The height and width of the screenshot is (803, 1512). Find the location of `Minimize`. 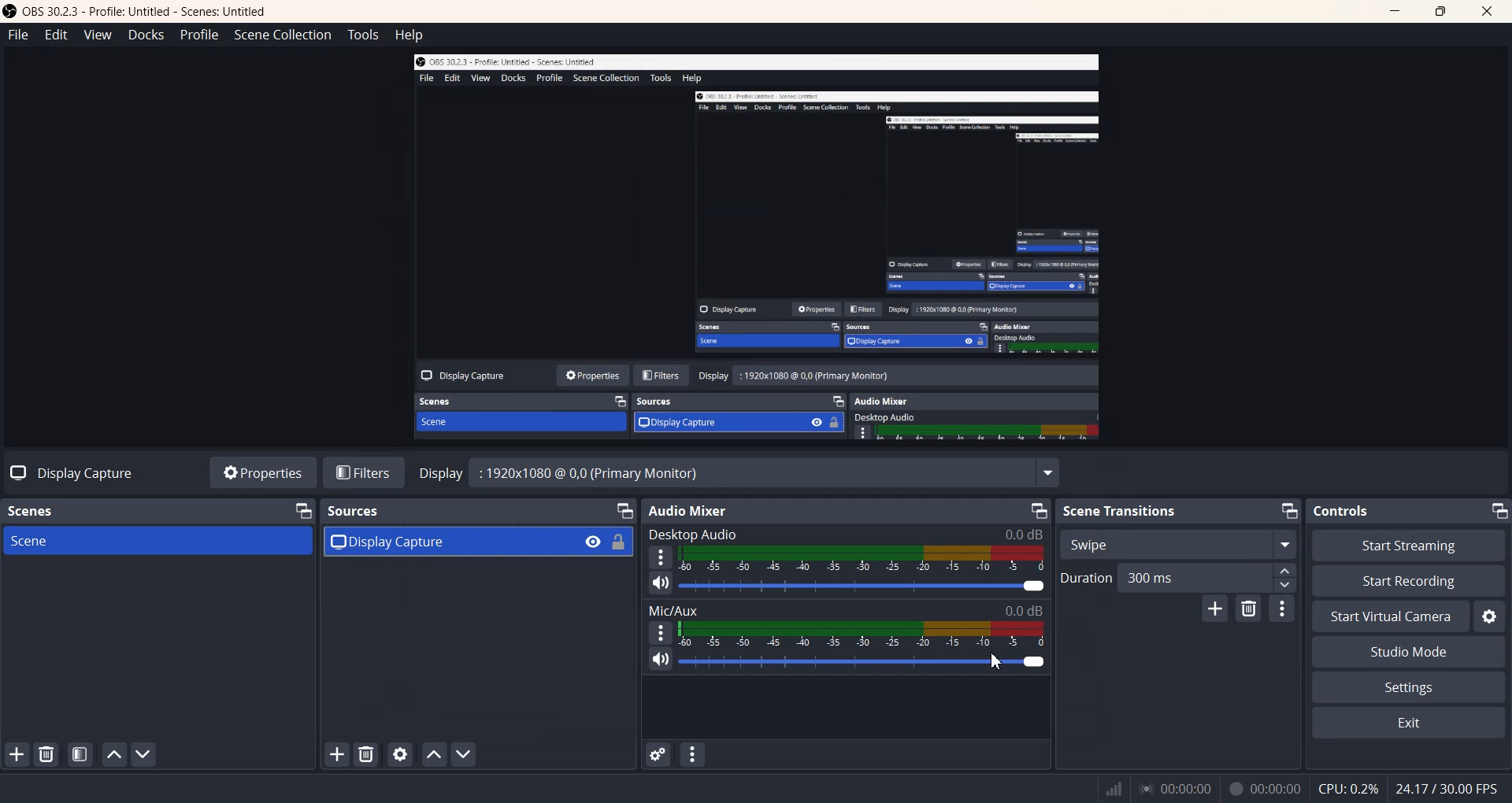

Minimize is located at coordinates (1497, 510).